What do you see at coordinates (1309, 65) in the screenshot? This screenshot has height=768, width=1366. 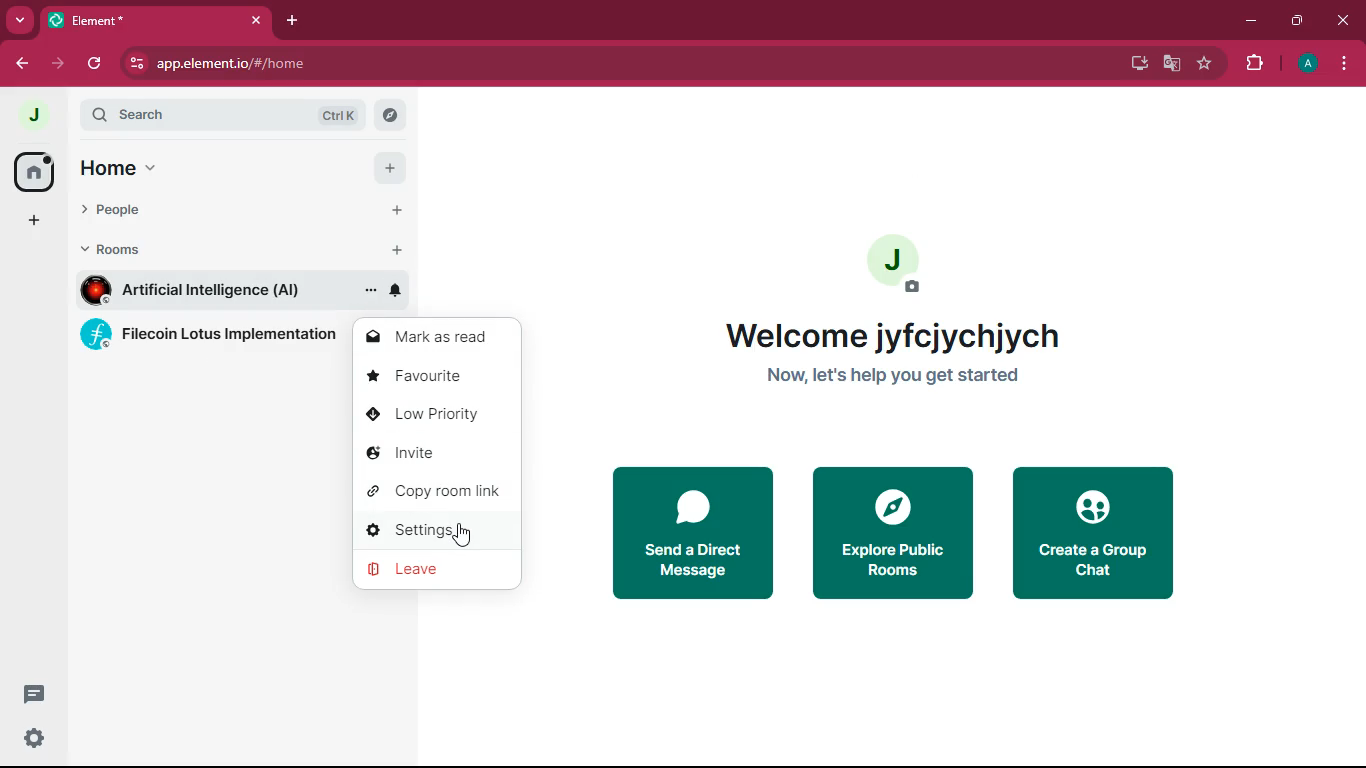 I see `profile` at bounding box center [1309, 65].